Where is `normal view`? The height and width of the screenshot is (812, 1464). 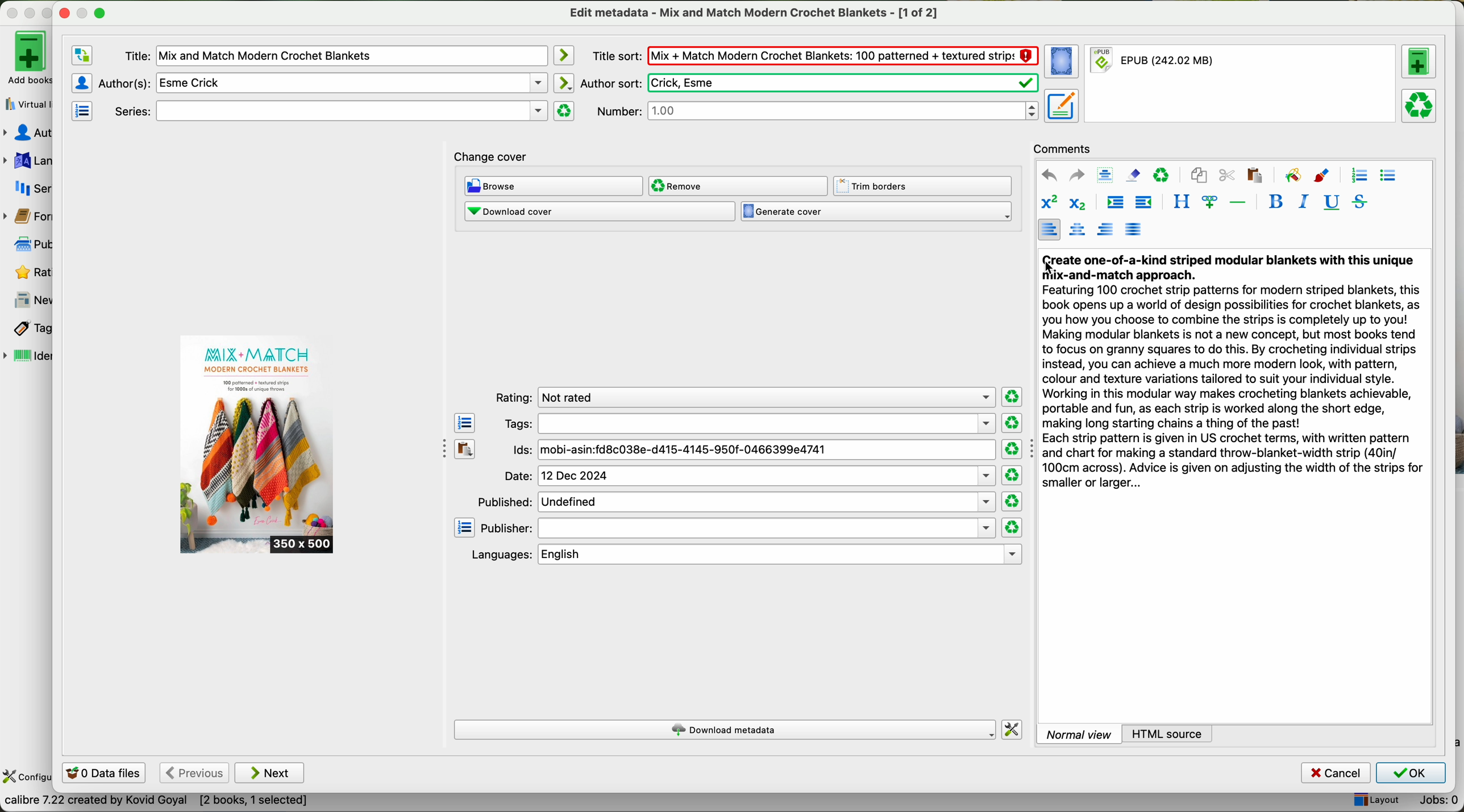
normal view is located at coordinates (1079, 734).